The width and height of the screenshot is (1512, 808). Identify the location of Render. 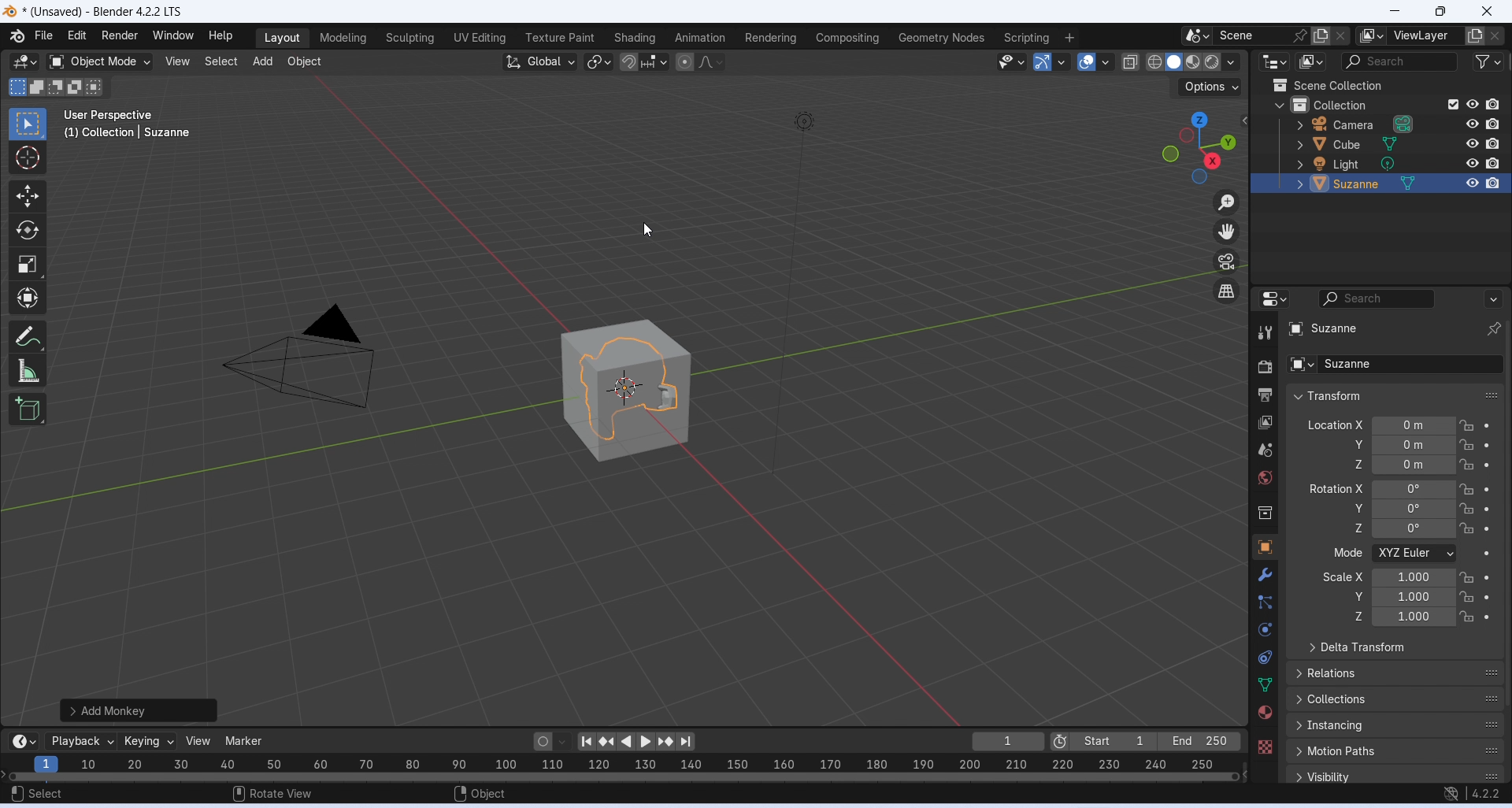
(119, 35).